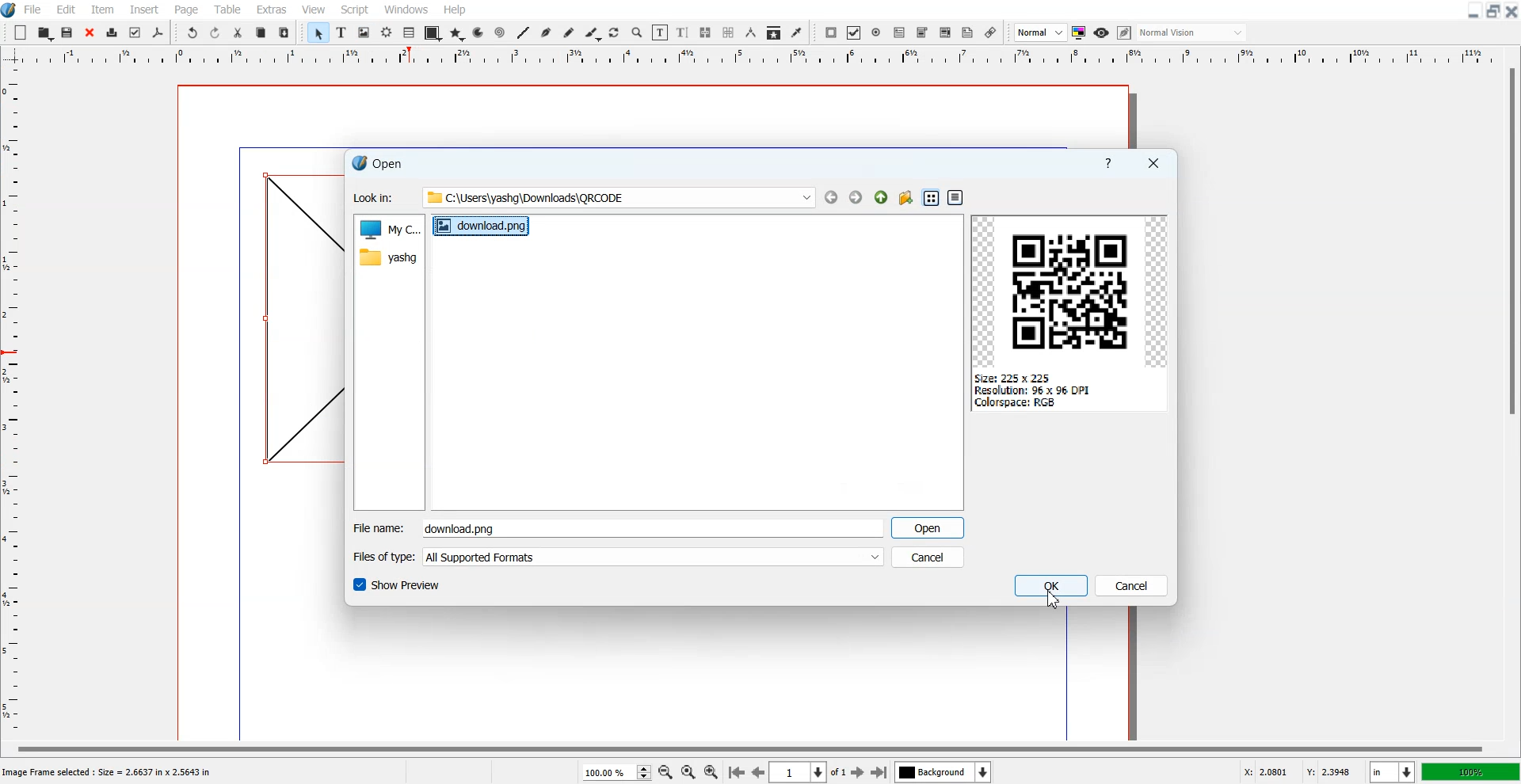 Image resolution: width=1521 pixels, height=784 pixels. What do you see at coordinates (1071, 291) in the screenshot?
I see `QR Code` at bounding box center [1071, 291].